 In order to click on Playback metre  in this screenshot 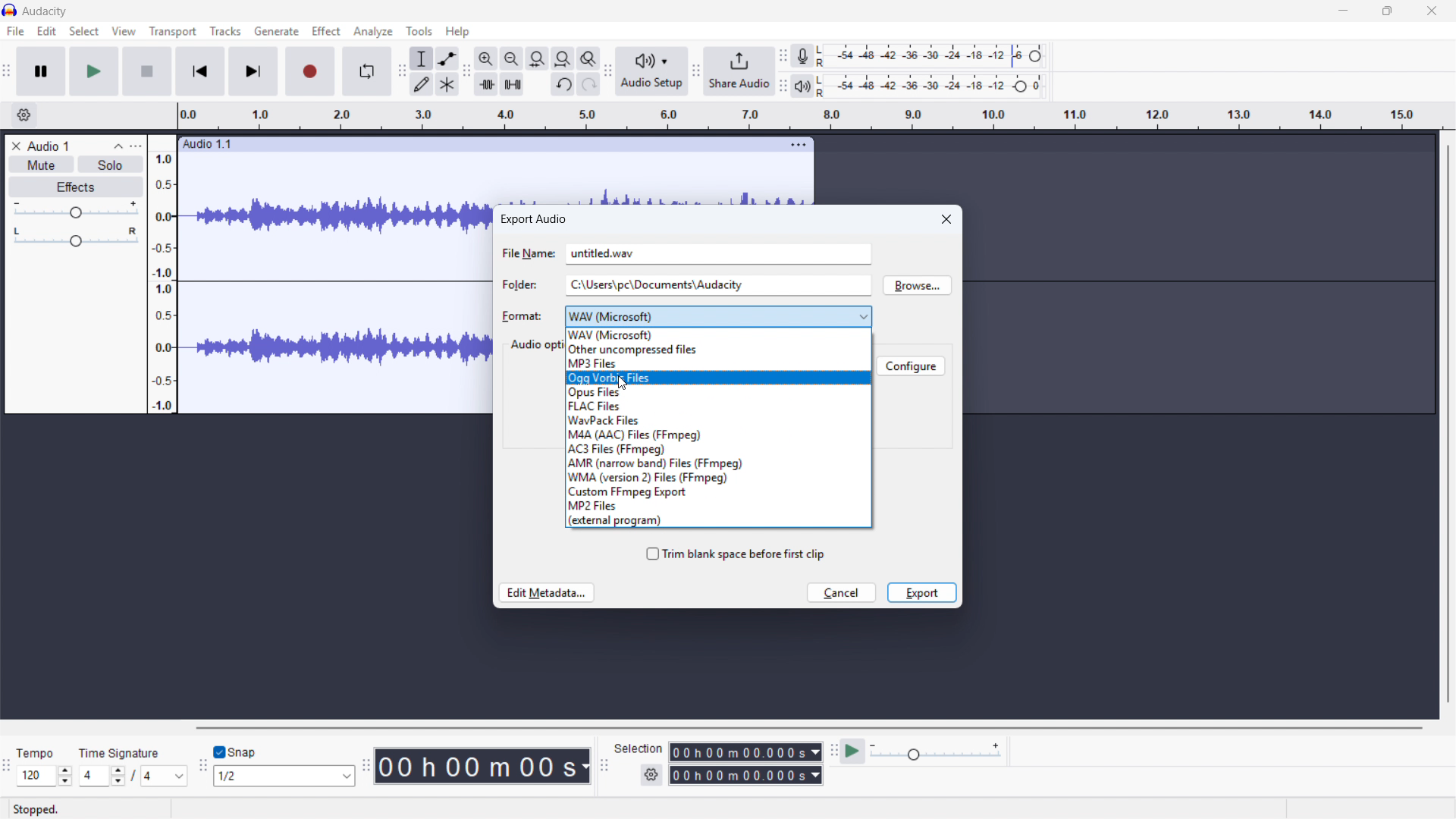, I will do `click(803, 86)`.